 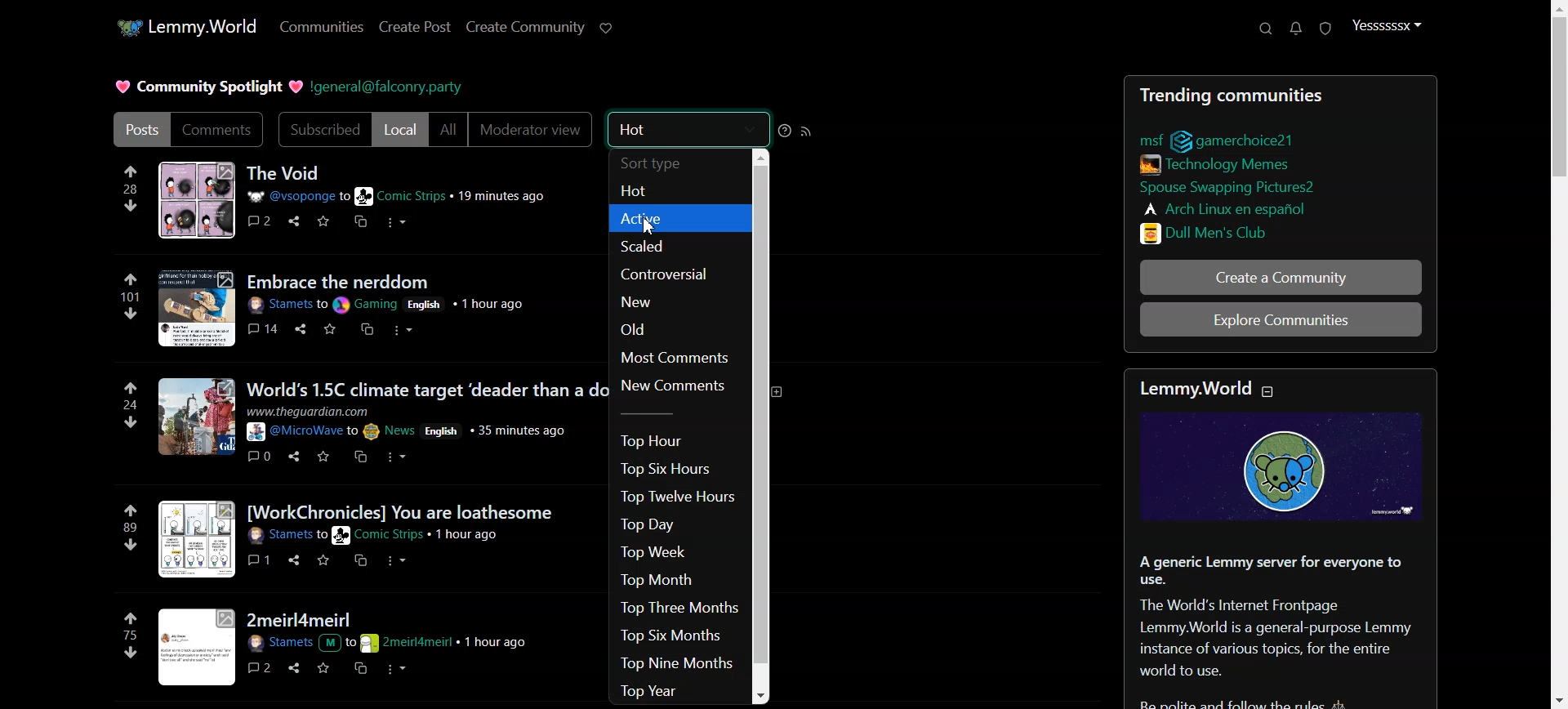 What do you see at coordinates (130, 406) in the screenshot?
I see `24` at bounding box center [130, 406].